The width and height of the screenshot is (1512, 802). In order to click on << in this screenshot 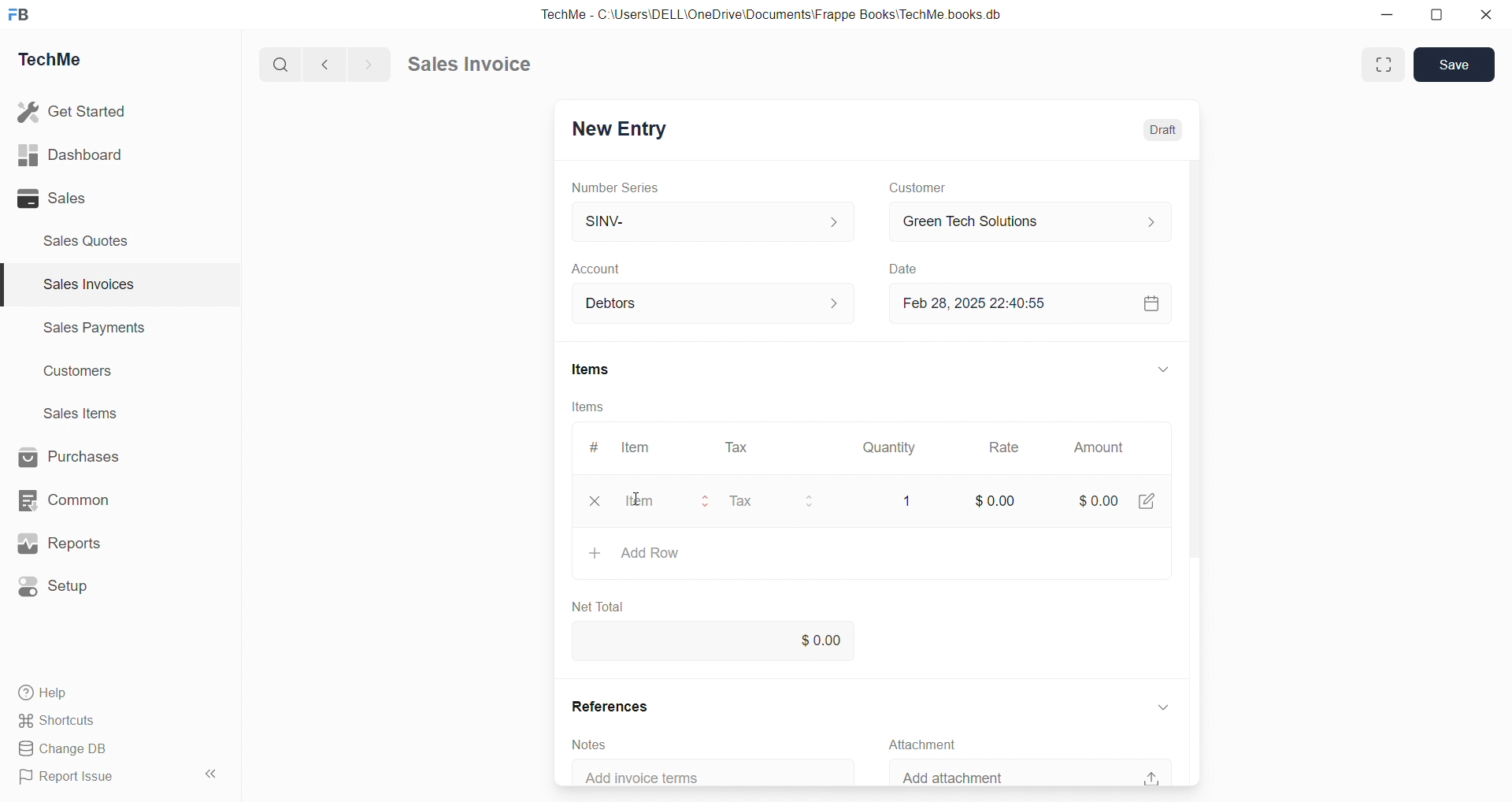, I will do `click(209, 774)`.